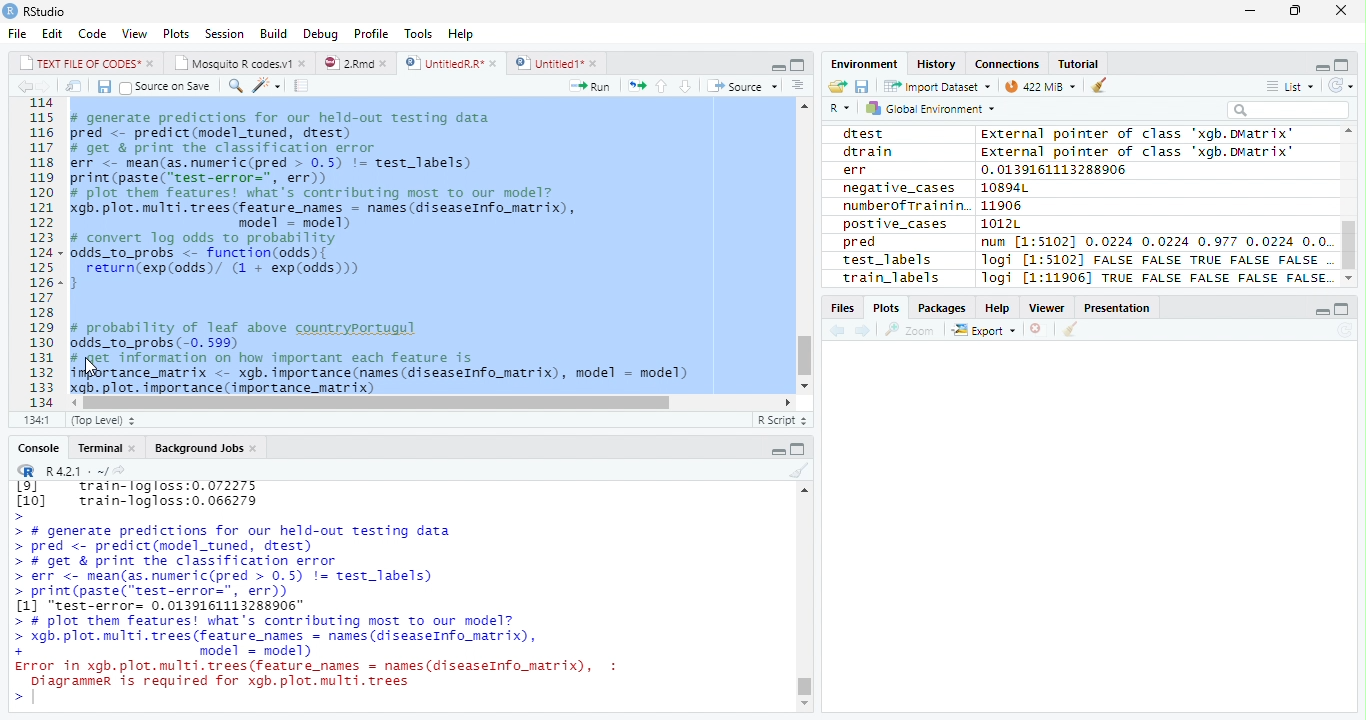  What do you see at coordinates (90, 34) in the screenshot?
I see `Code` at bounding box center [90, 34].